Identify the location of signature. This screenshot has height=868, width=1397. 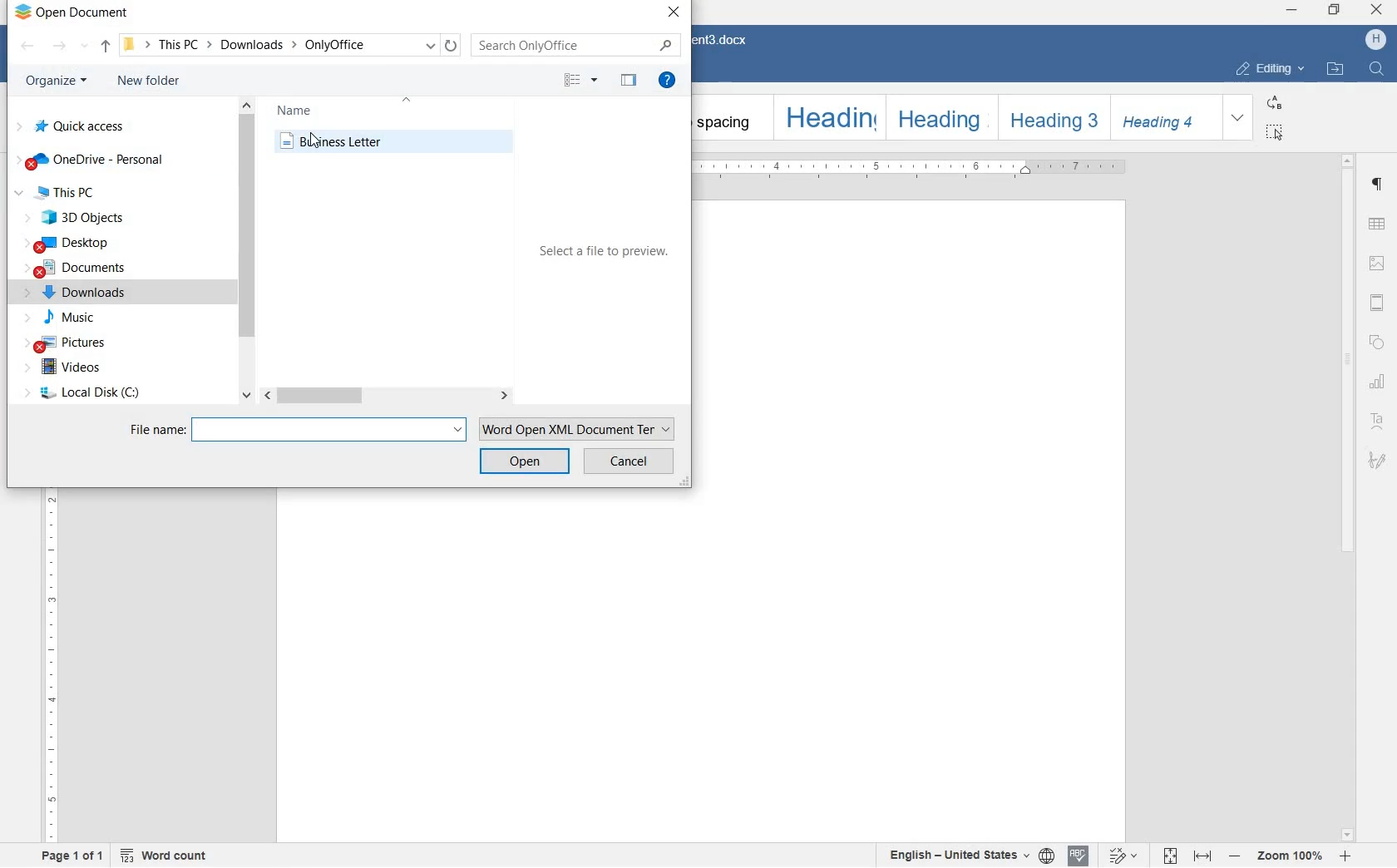
(1379, 460).